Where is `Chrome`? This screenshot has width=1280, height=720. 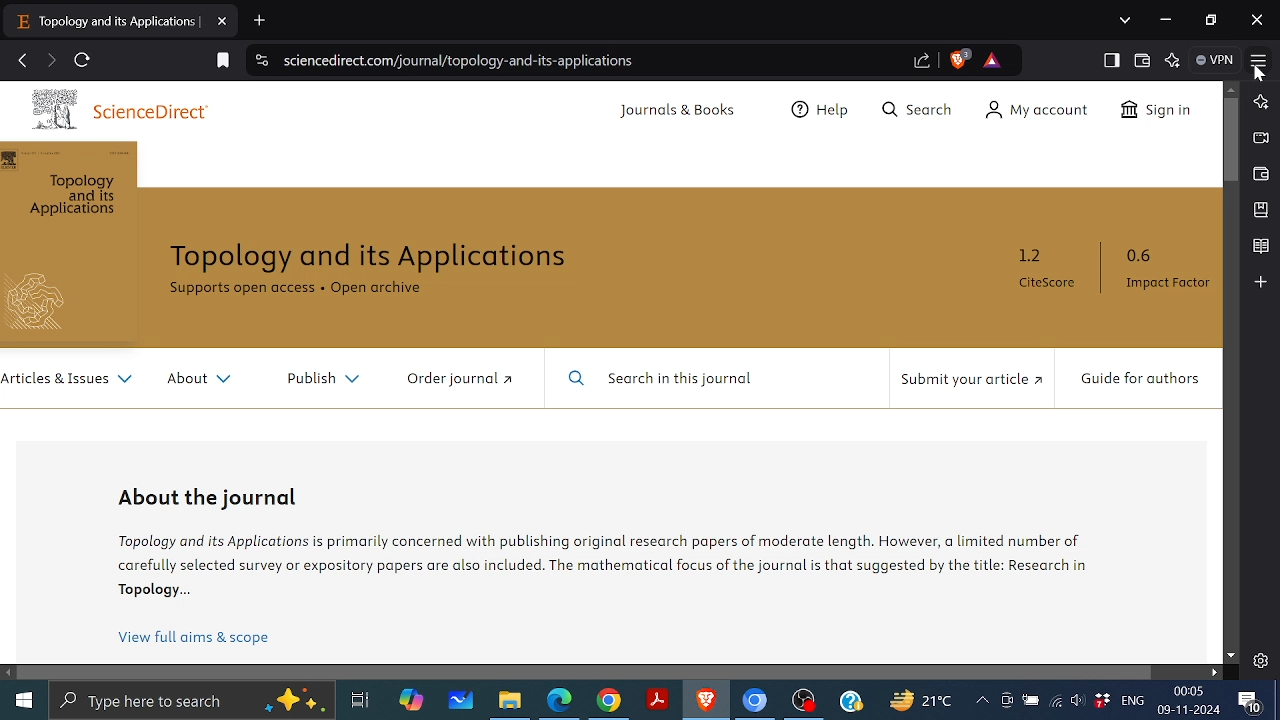
Chrome is located at coordinates (609, 702).